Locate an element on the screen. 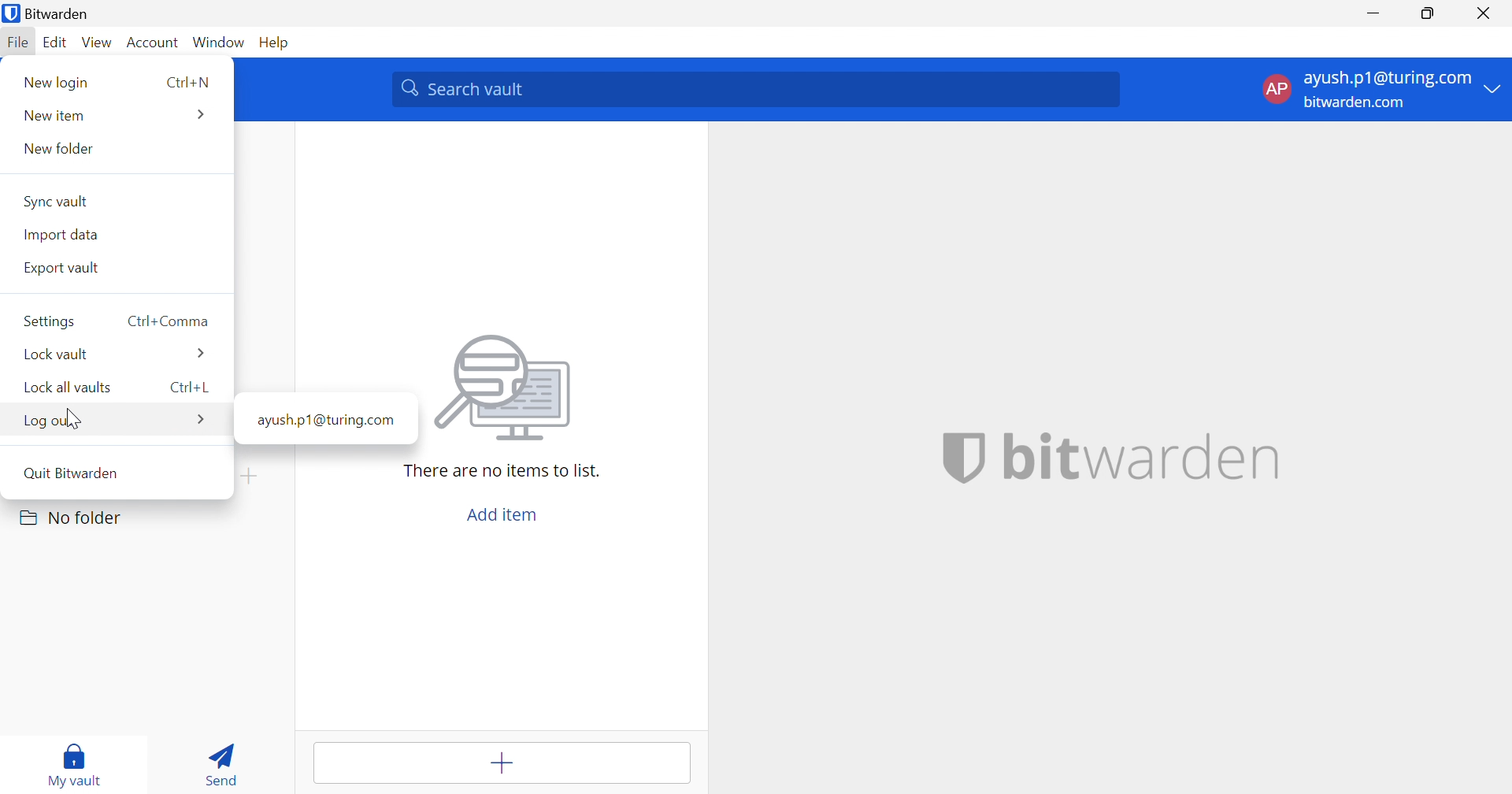 The height and width of the screenshot is (794, 1512). New item is located at coordinates (53, 117).